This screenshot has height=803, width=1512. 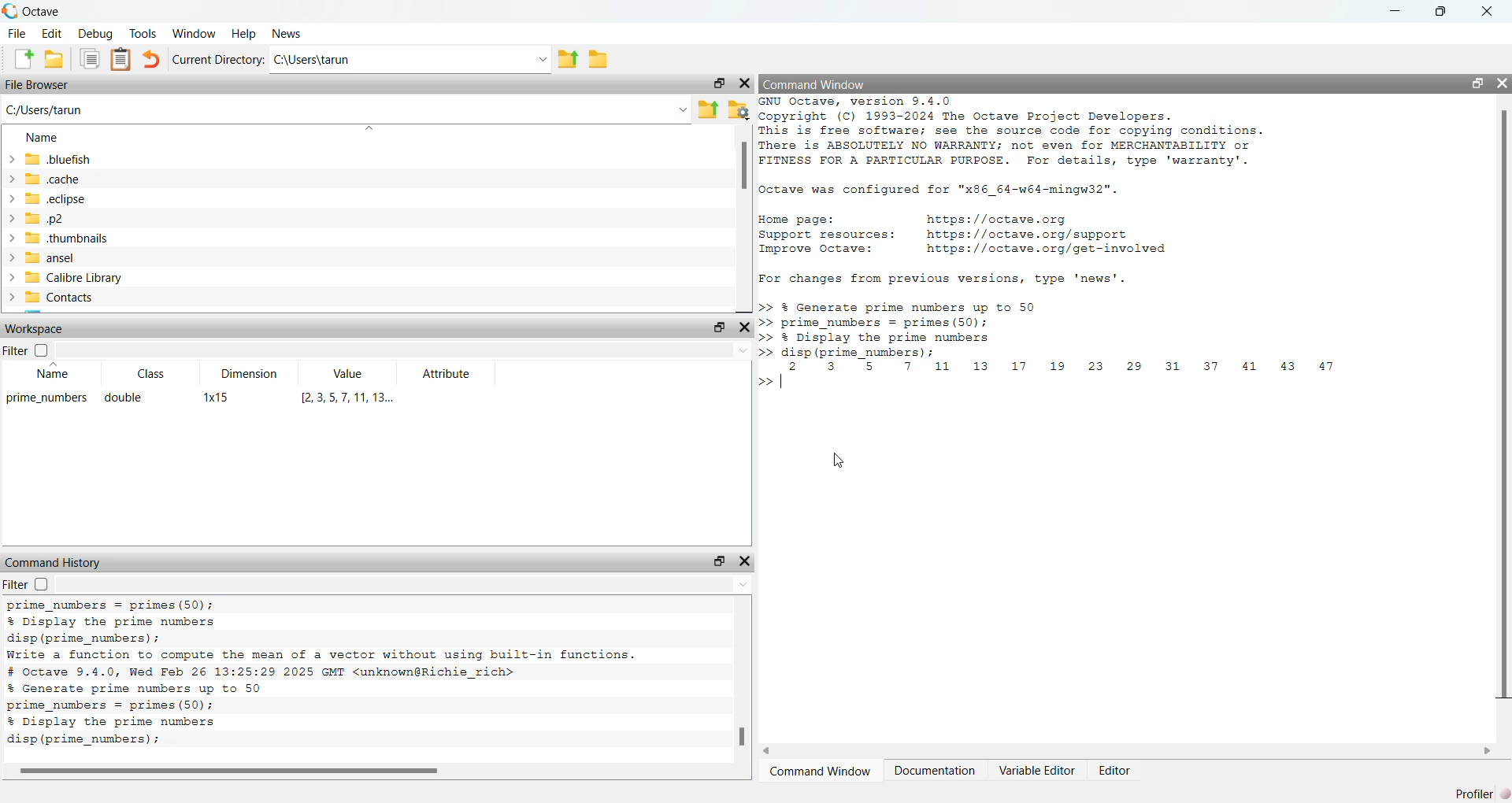 What do you see at coordinates (52, 33) in the screenshot?
I see `edit` at bounding box center [52, 33].